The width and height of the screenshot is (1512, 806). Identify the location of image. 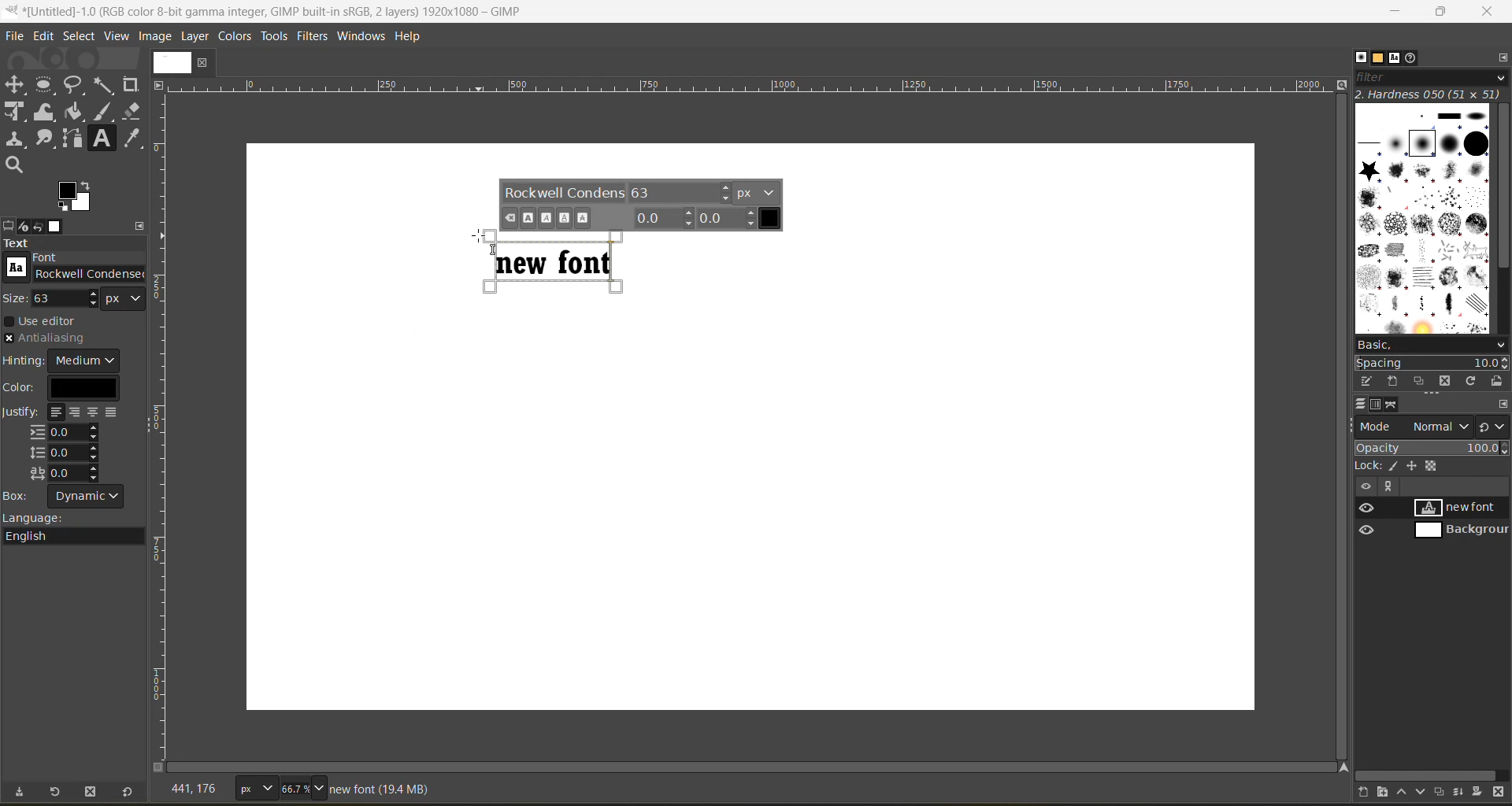
(157, 36).